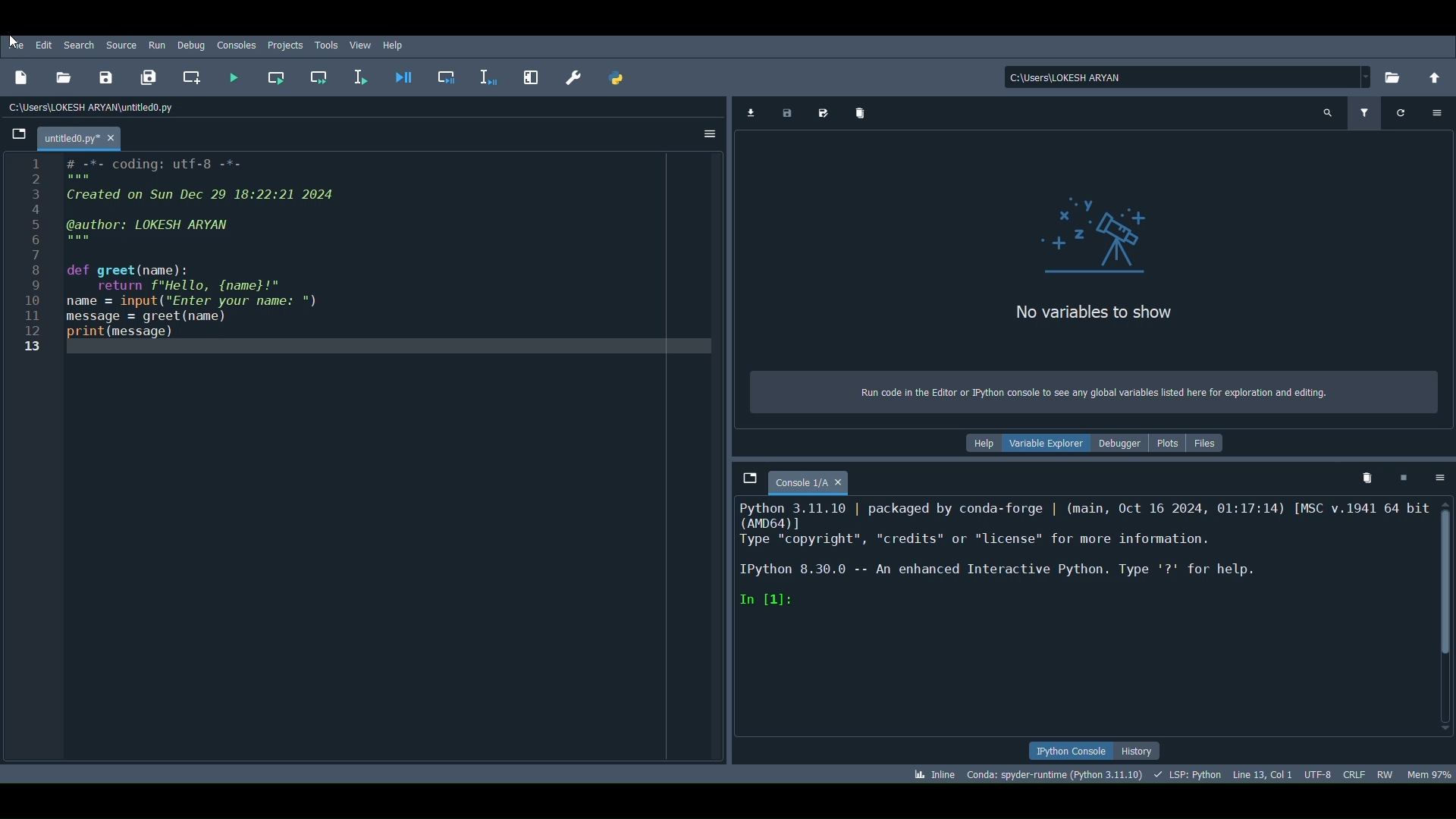 Image resolution: width=1456 pixels, height=819 pixels. I want to click on Run current cell and go to the next one (Shift + Return), so click(323, 77).